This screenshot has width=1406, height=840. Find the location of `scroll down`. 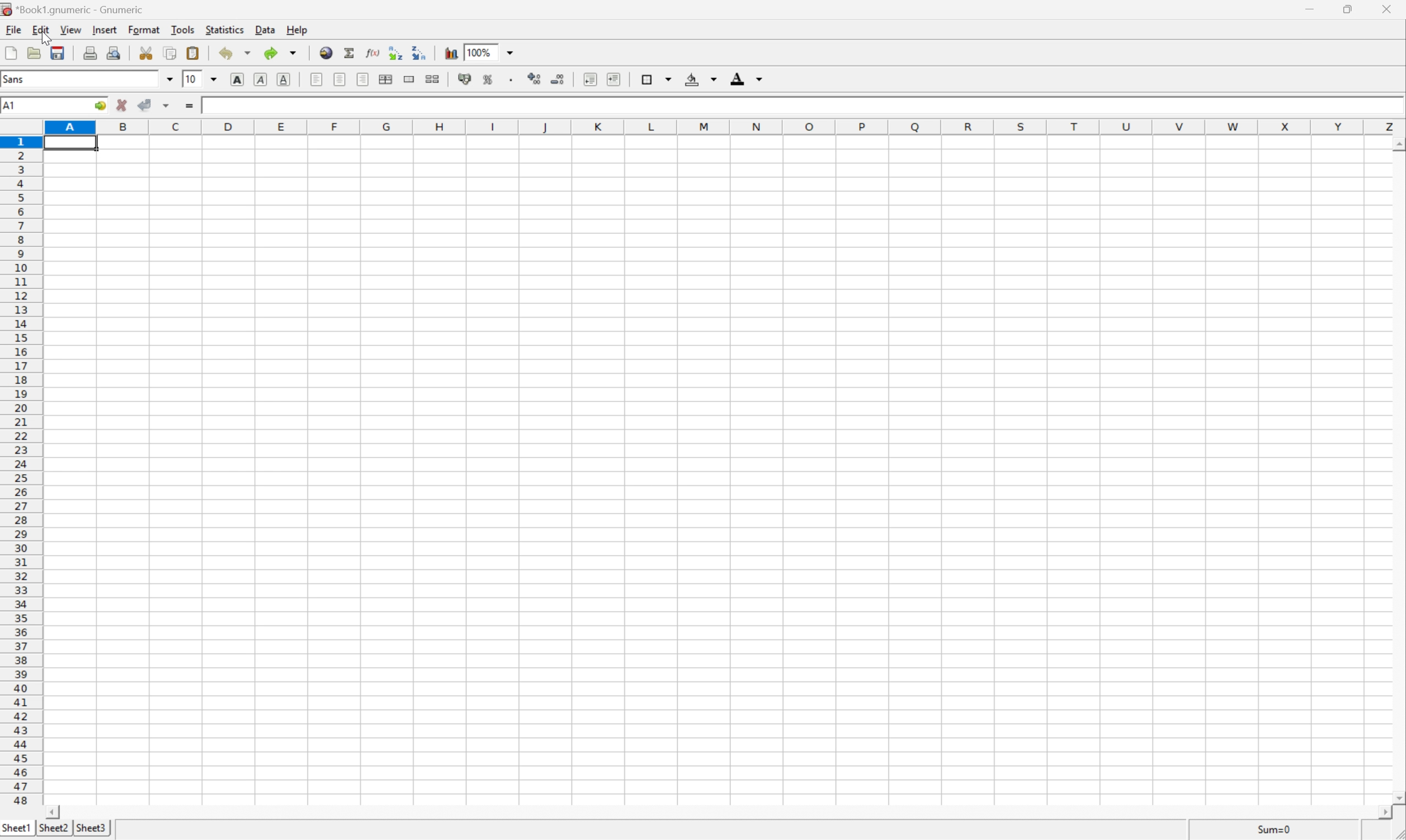

scroll down is located at coordinates (1397, 798).